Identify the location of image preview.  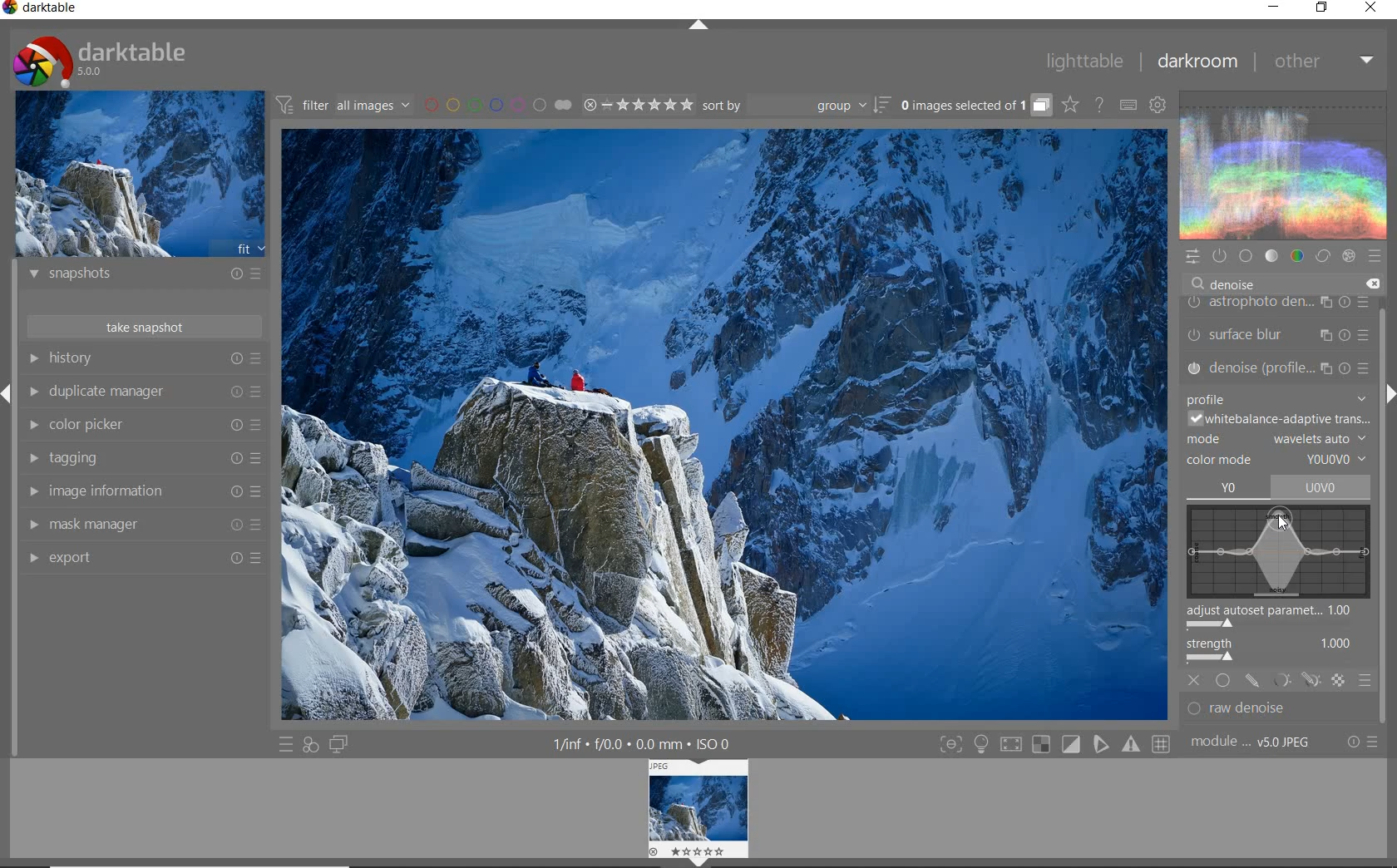
(139, 173).